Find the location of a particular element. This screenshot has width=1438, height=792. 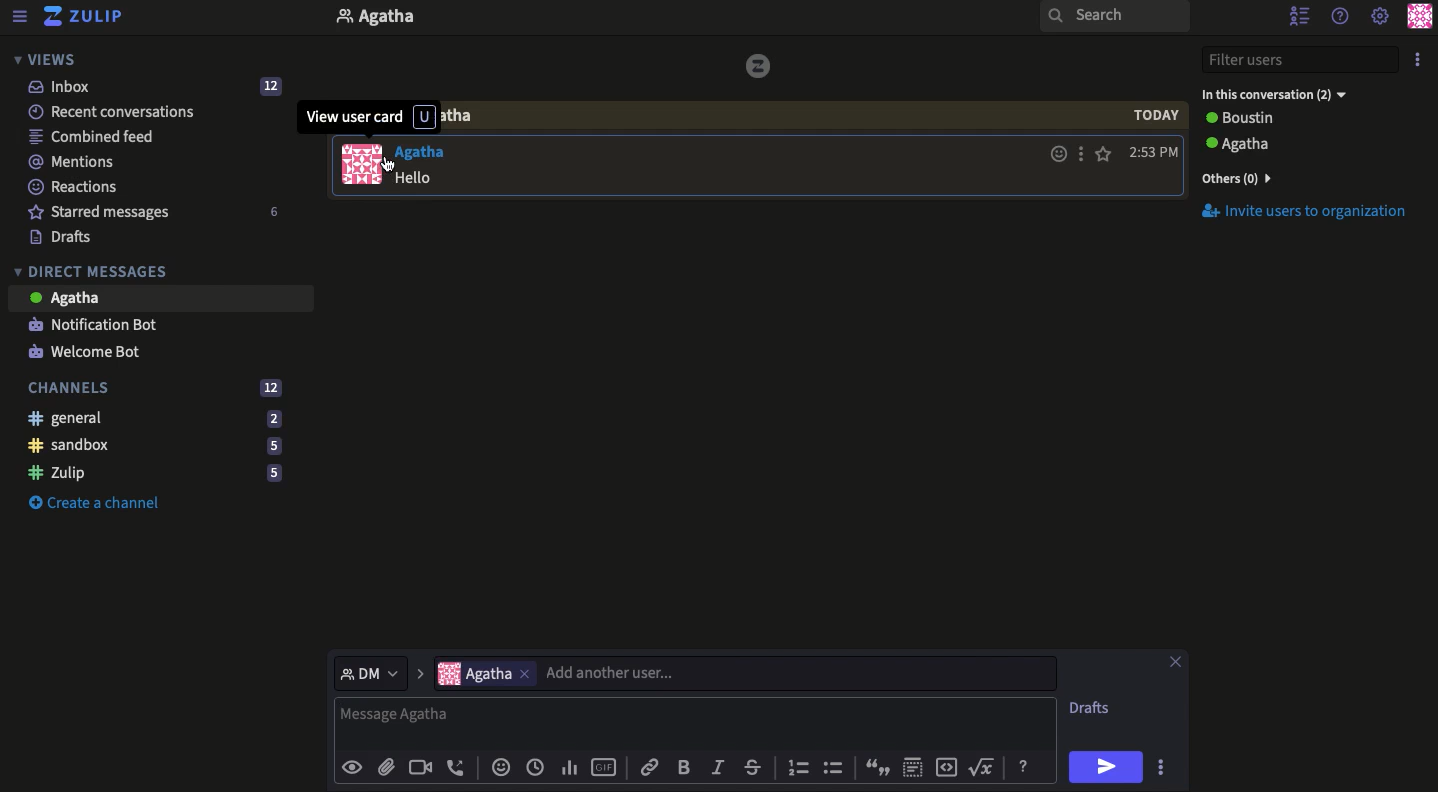

Reaction is located at coordinates (501, 766).